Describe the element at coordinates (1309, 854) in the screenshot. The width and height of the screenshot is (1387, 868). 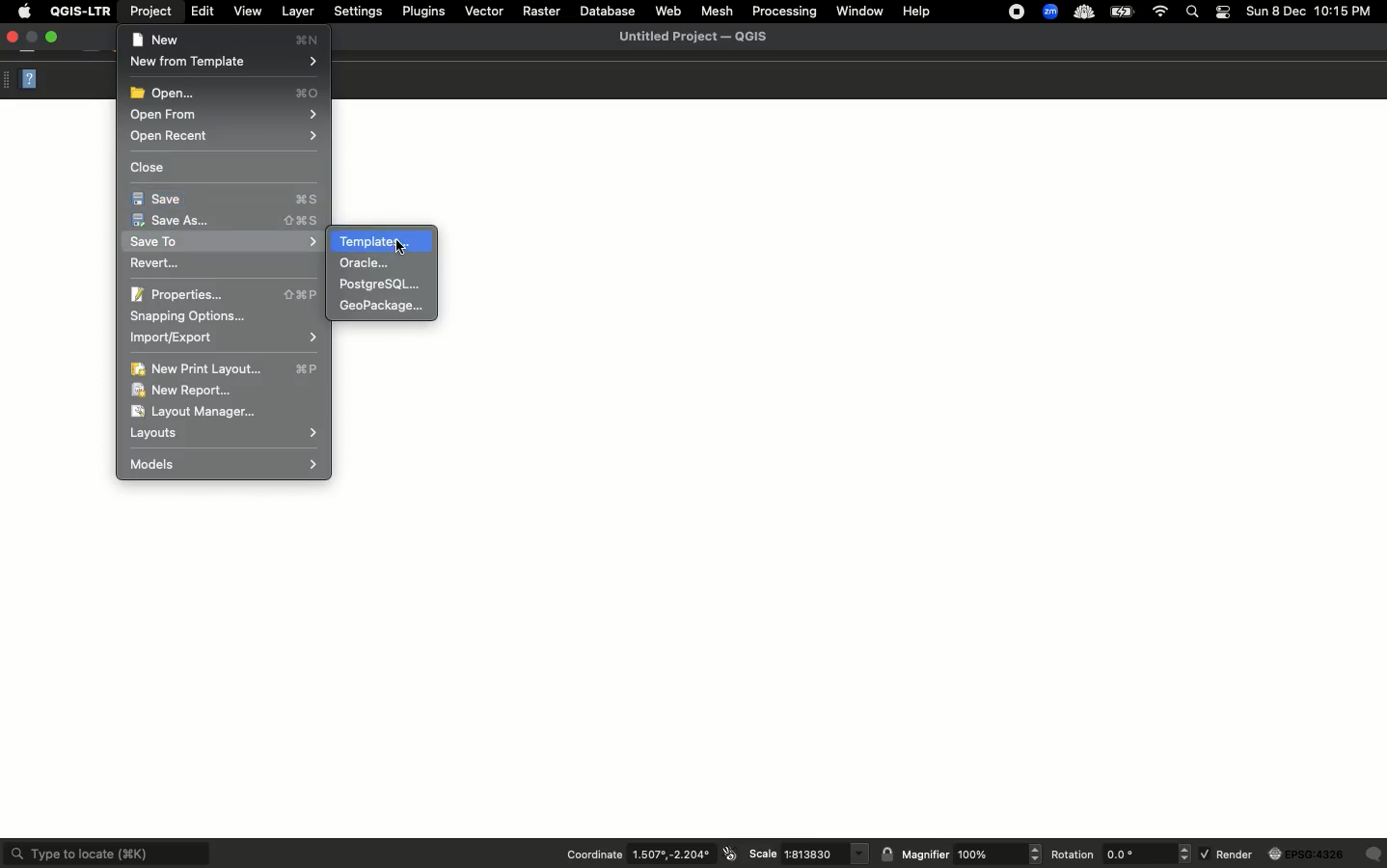
I see `globe` at that location.